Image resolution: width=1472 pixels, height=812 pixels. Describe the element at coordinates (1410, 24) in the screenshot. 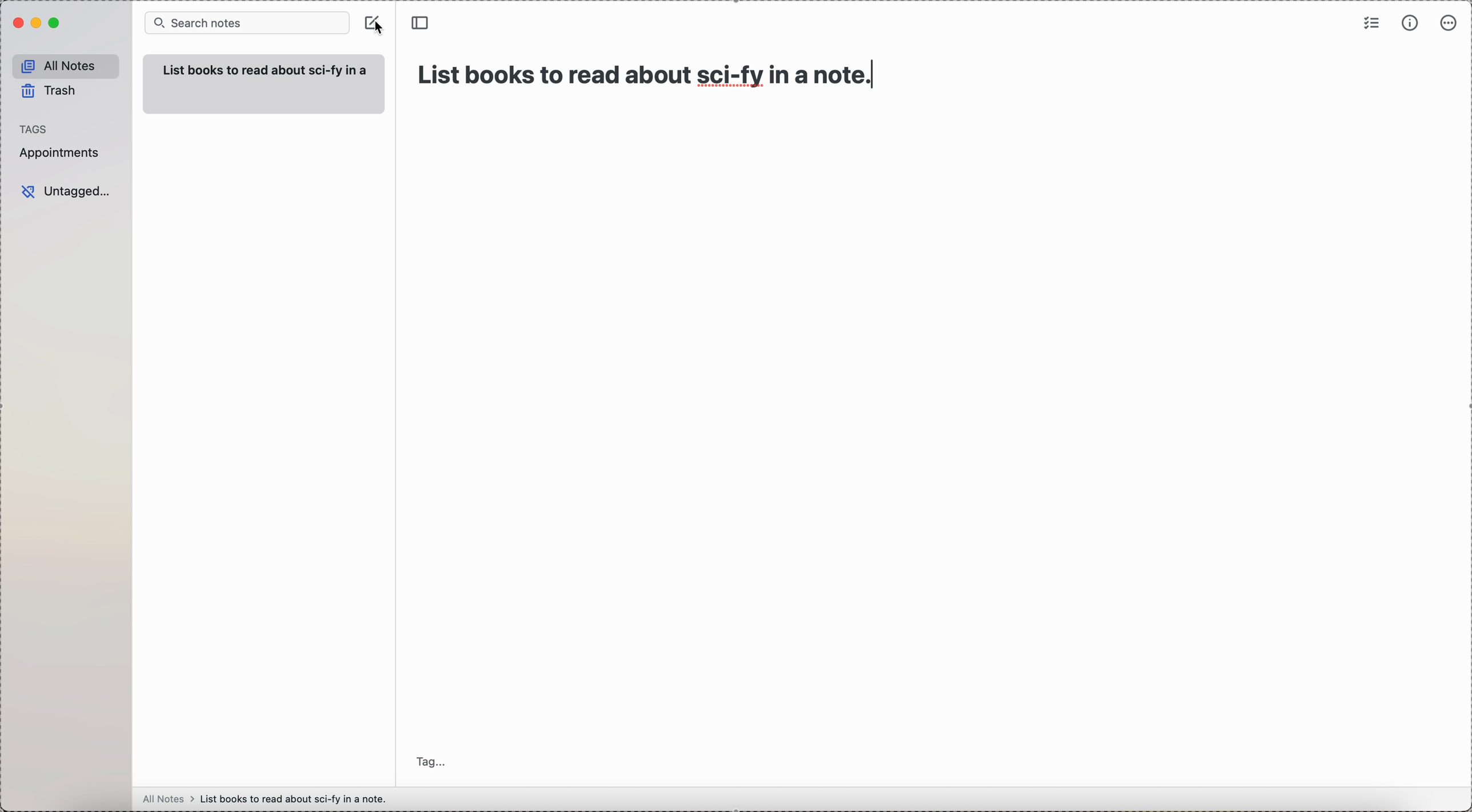

I see `metrics` at that location.